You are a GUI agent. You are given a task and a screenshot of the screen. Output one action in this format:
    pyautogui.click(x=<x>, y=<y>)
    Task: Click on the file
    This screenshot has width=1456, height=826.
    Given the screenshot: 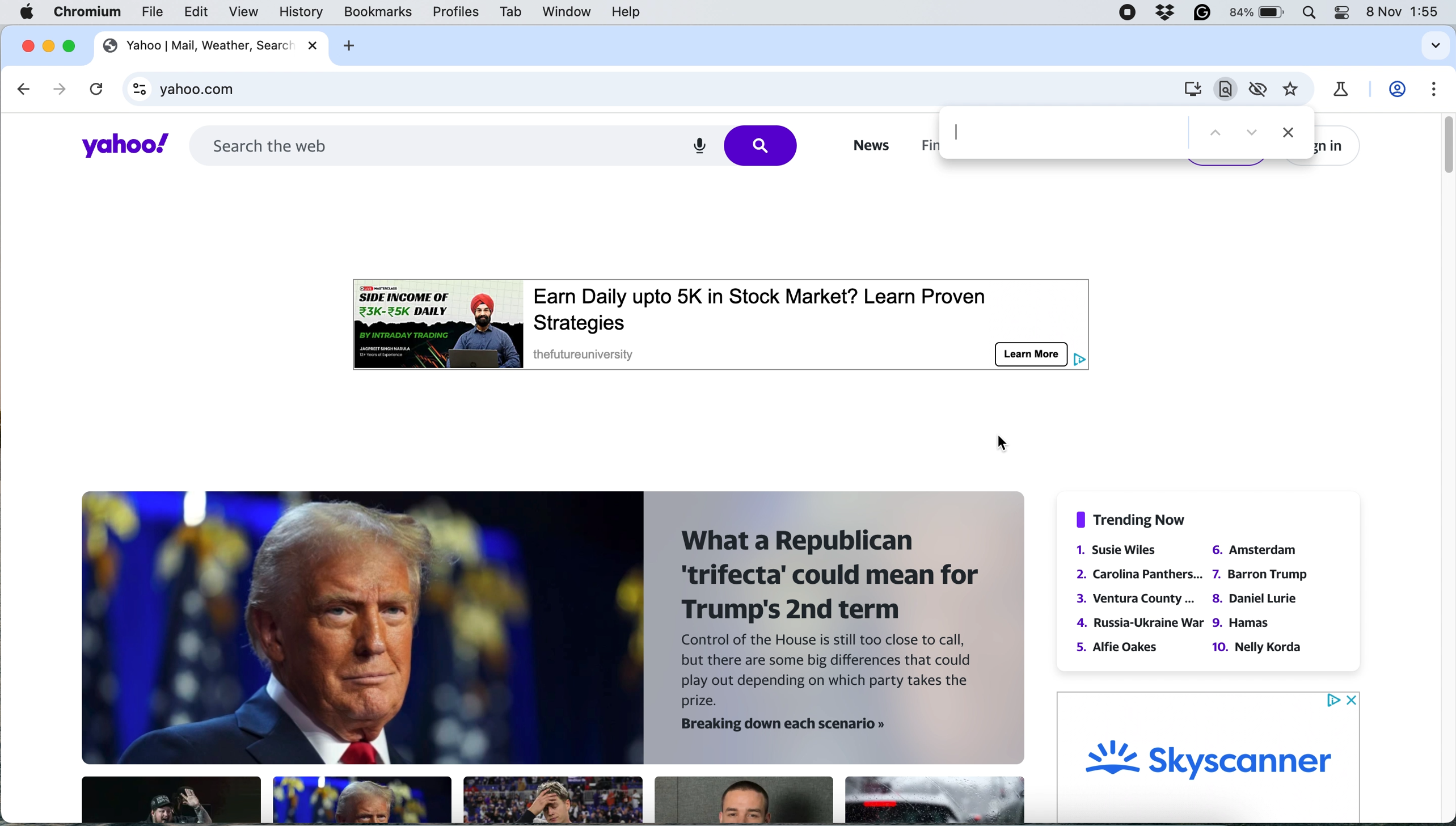 What is the action you would take?
    pyautogui.click(x=154, y=12)
    